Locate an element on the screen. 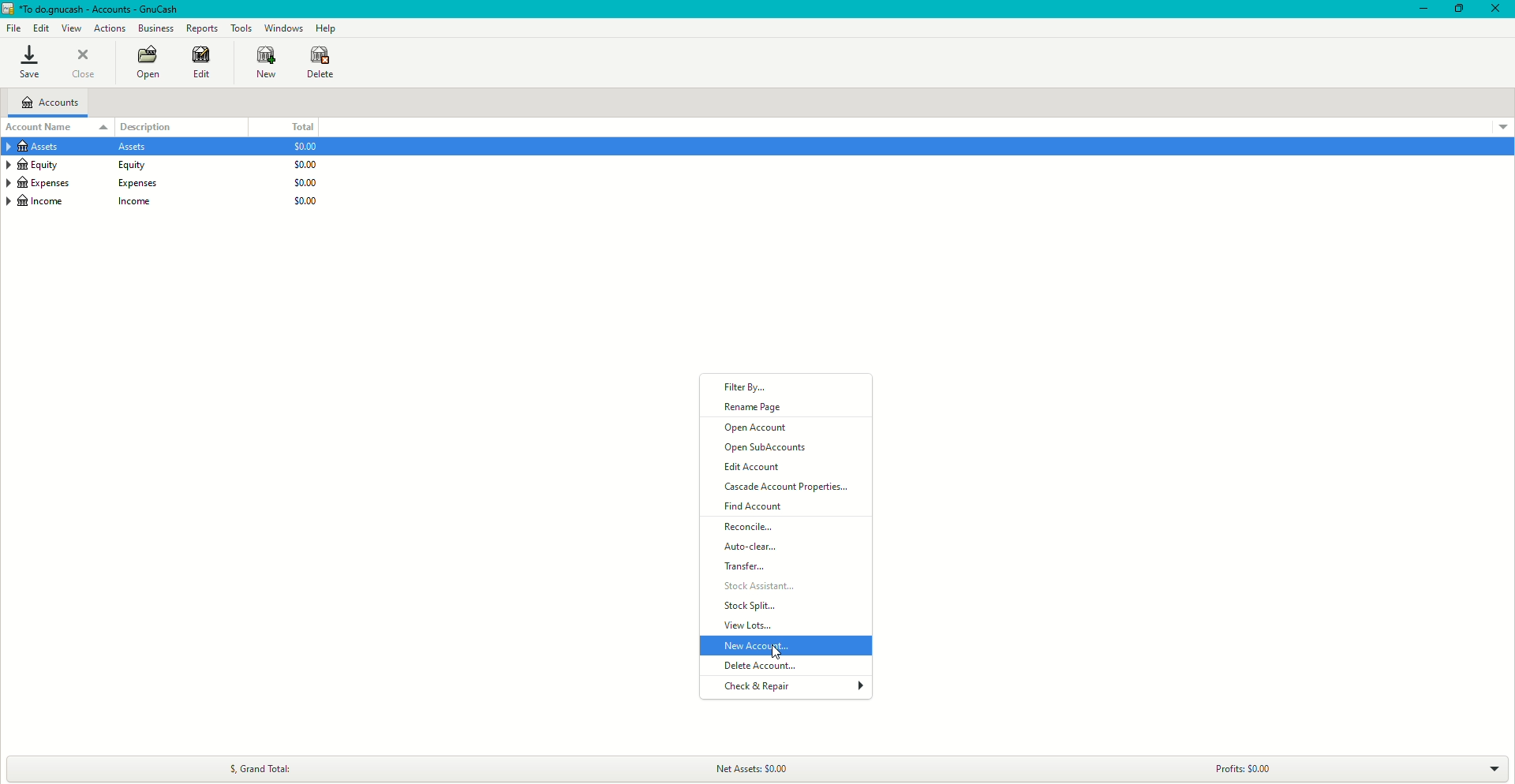 Image resolution: width=1515 pixels, height=784 pixels. Assets is located at coordinates (84, 148).